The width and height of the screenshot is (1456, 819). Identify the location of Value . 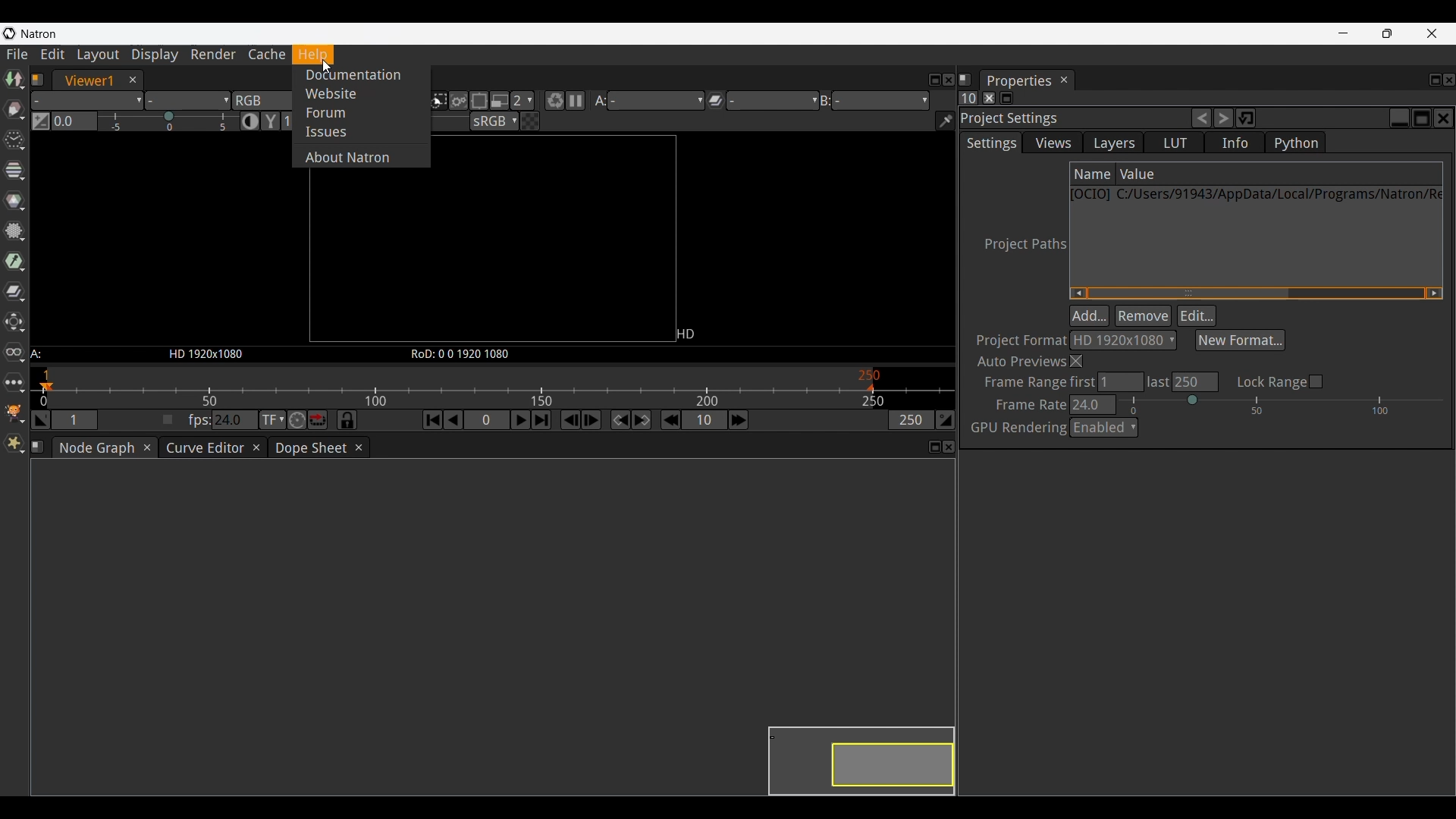
(1279, 174).